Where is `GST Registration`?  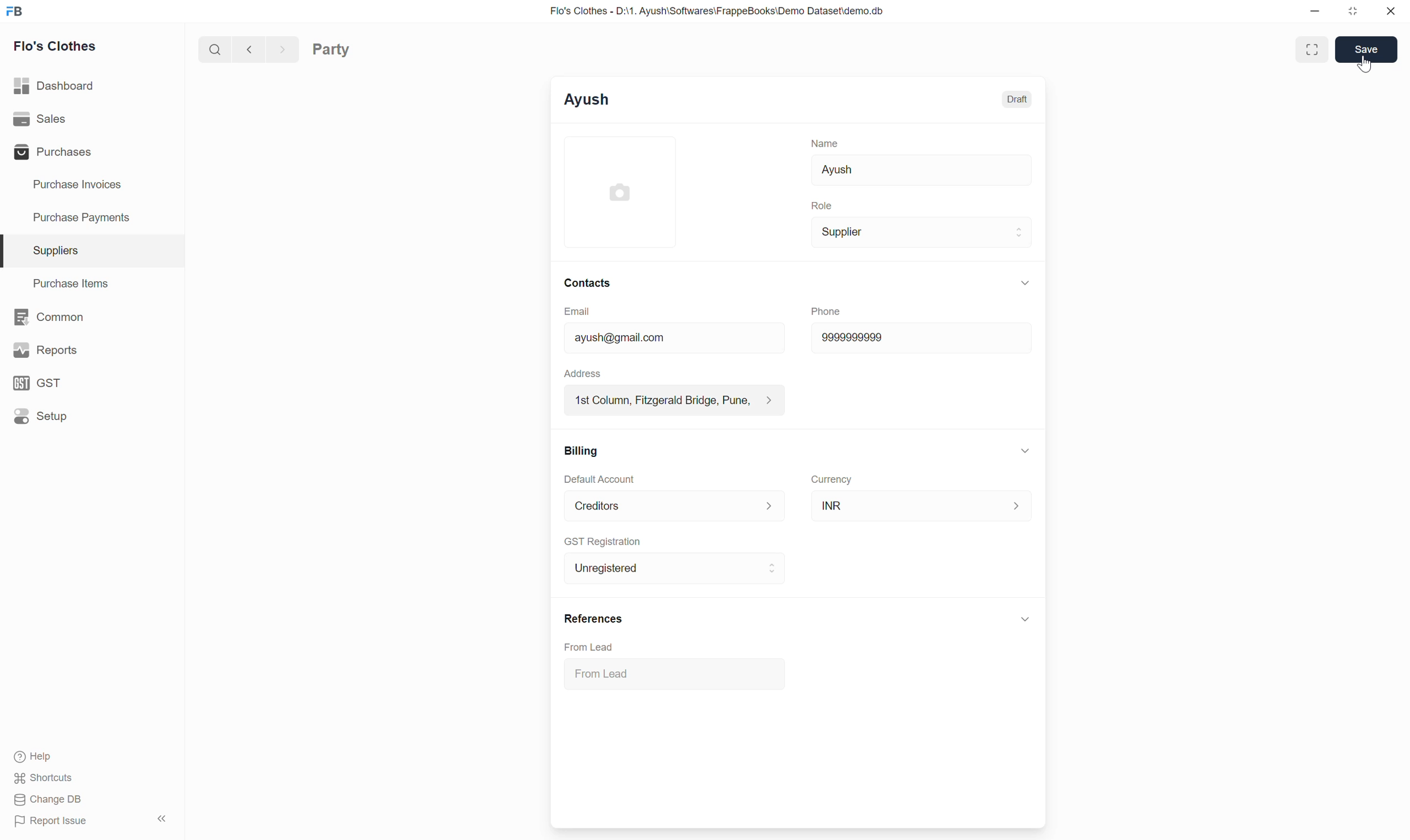 GST Registration is located at coordinates (603, 542).